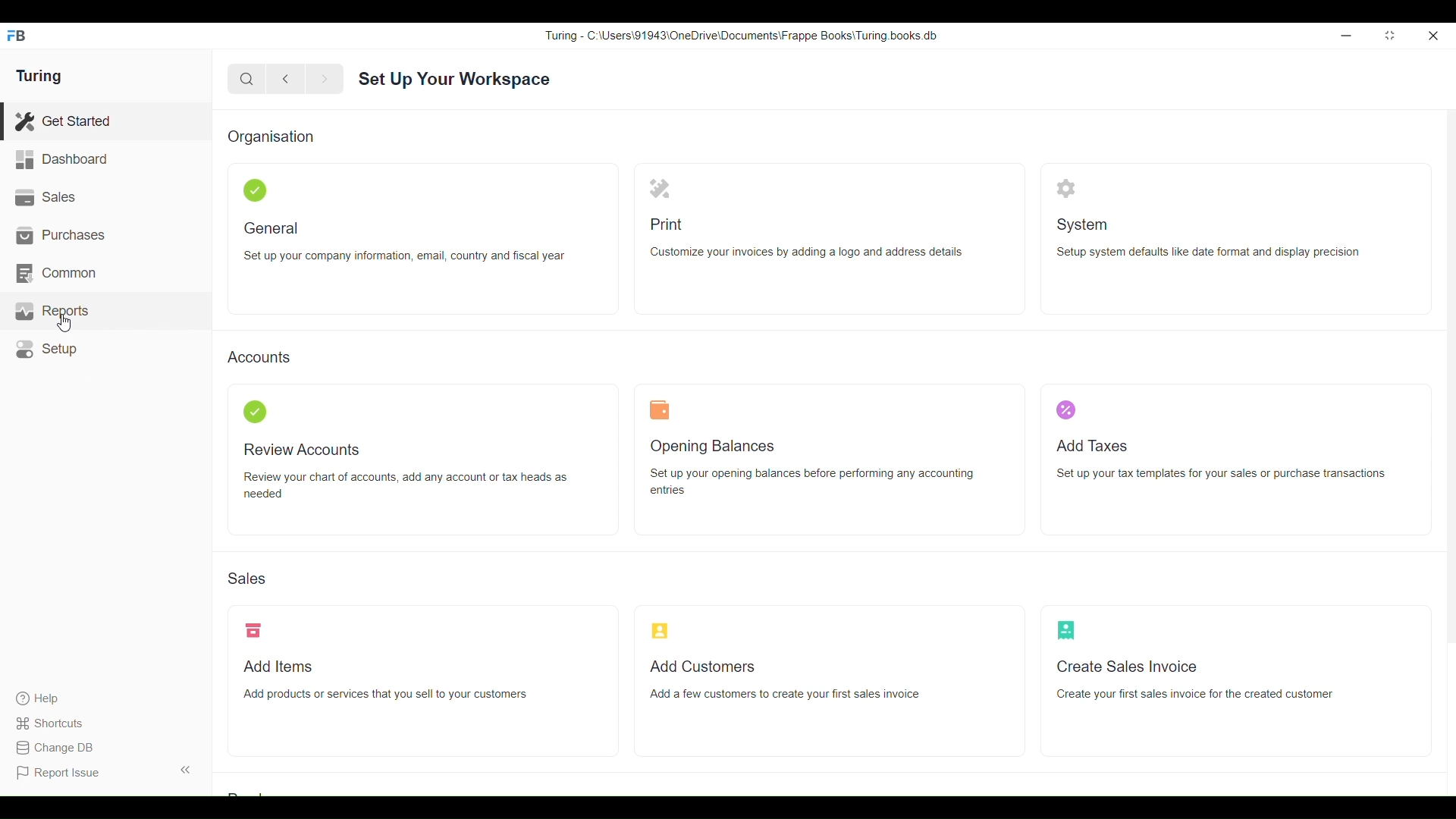 This screenshot has height=819, width=1456. I want to click on Add Customers icon, so click(660, 630).